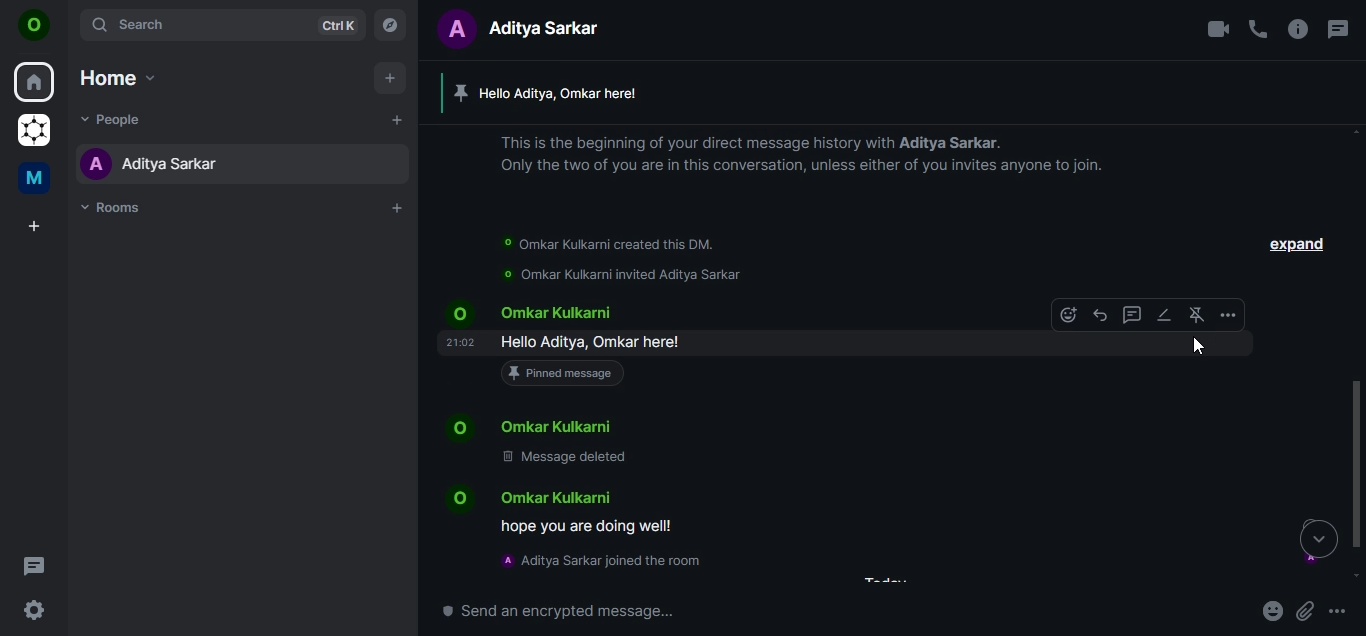  I want to click on start a chat, so click(398, 121).